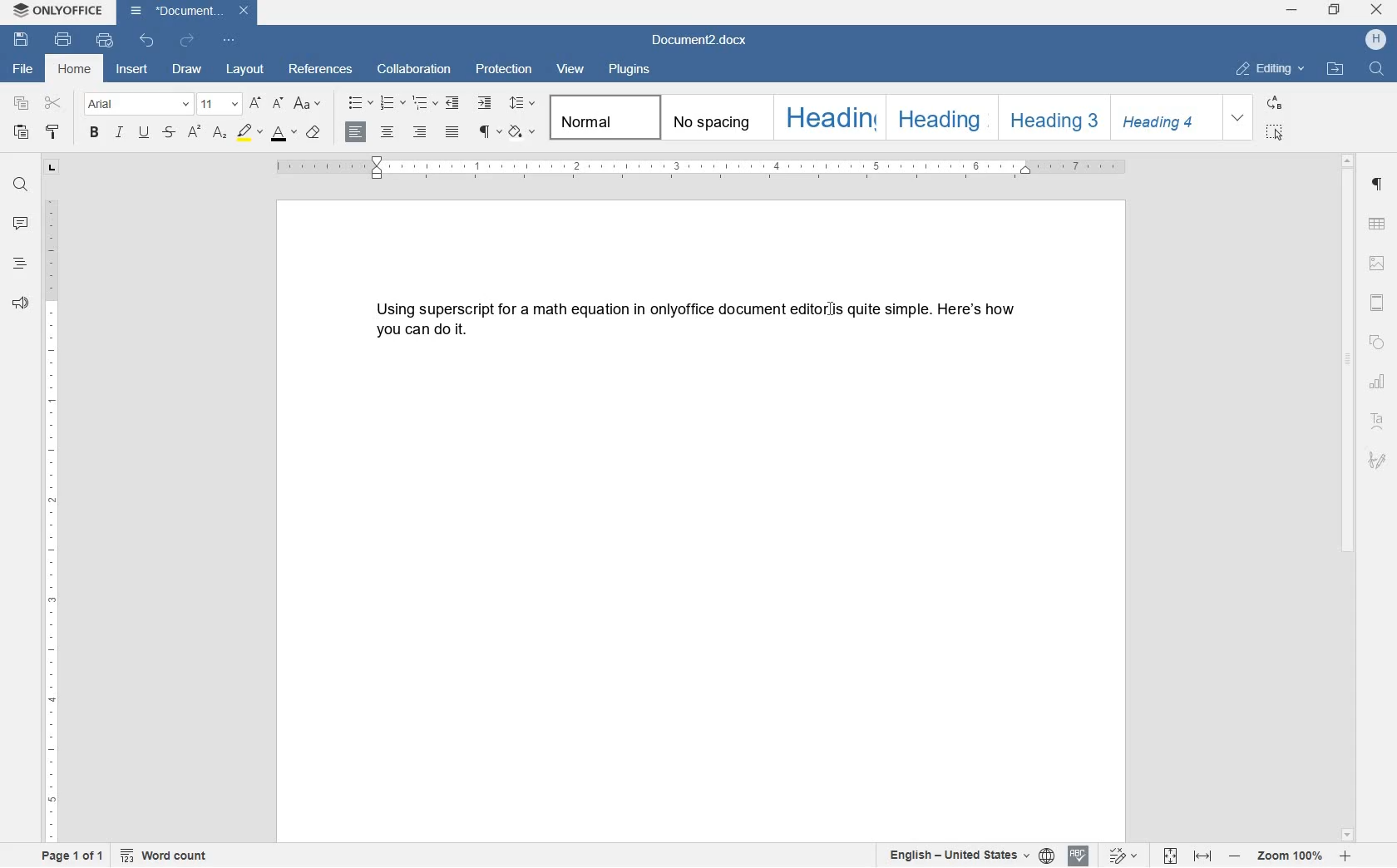 The image size is (1397, 868). I want to click on copy, so click(22, 104).